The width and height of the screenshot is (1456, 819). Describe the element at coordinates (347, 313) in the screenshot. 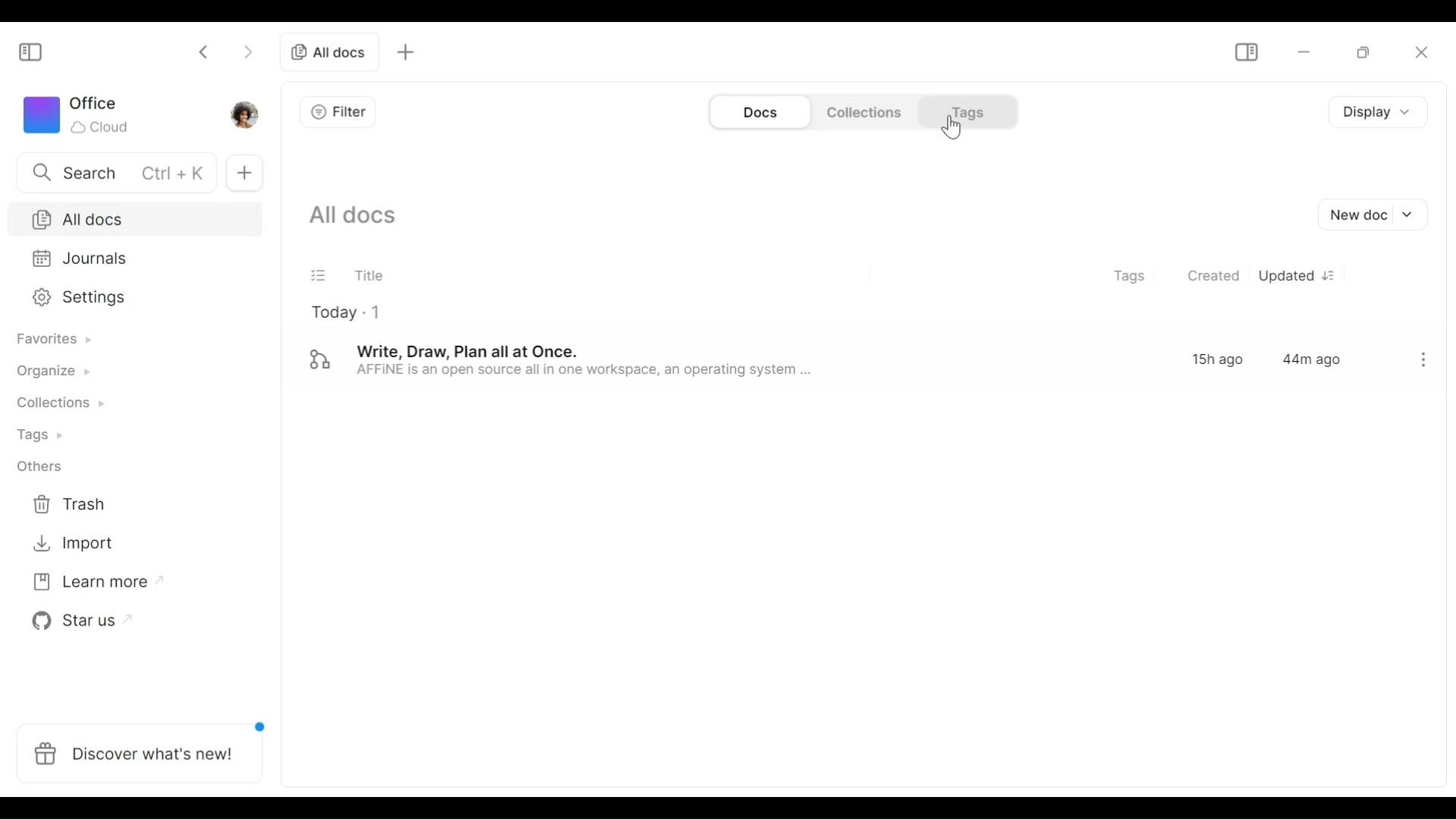

I see `Today - 1` at that location.